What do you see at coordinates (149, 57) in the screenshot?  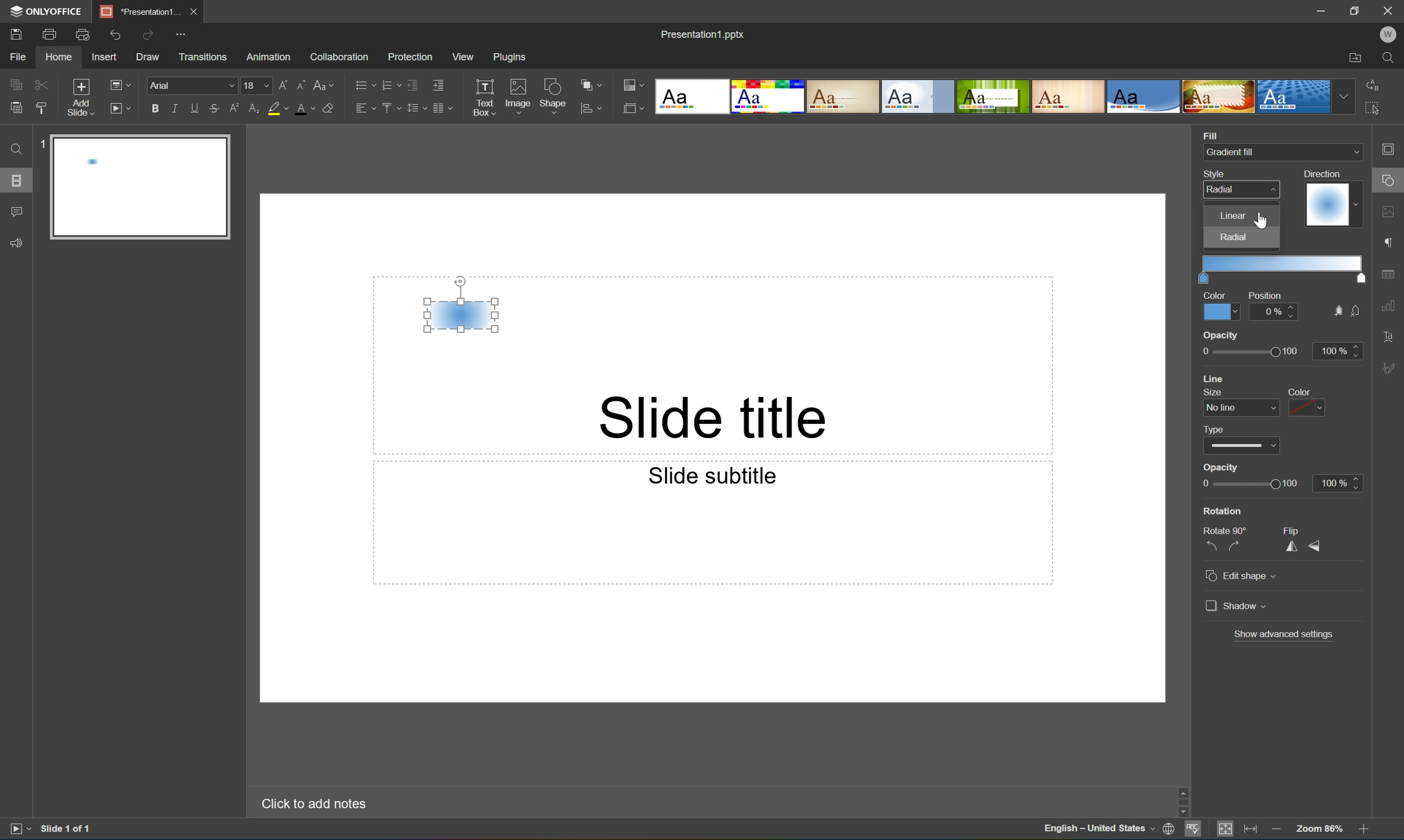 I see `Draw` at bounding box center [149, 57].